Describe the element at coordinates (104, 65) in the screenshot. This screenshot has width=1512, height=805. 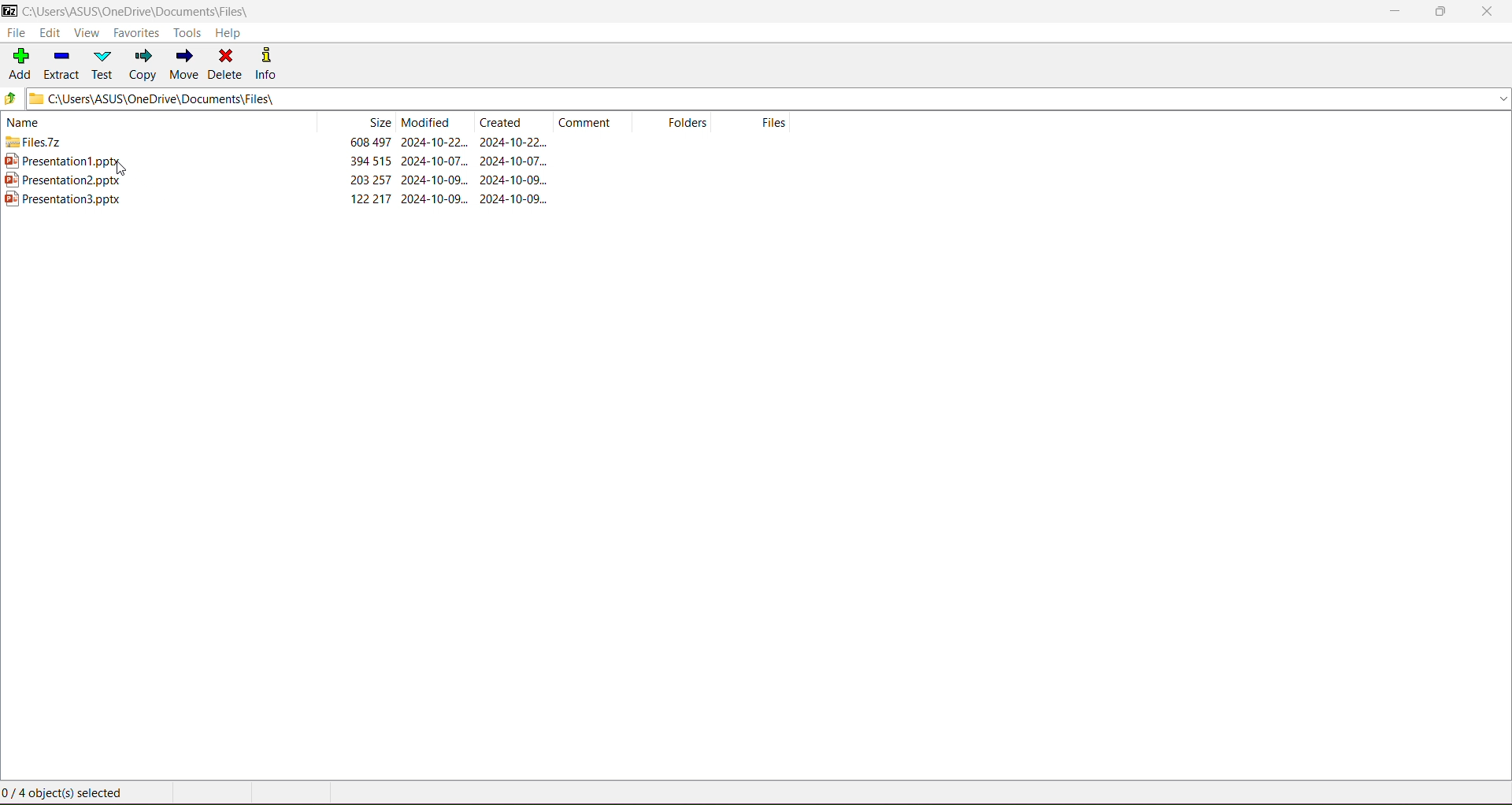
I see `Test` at that location.